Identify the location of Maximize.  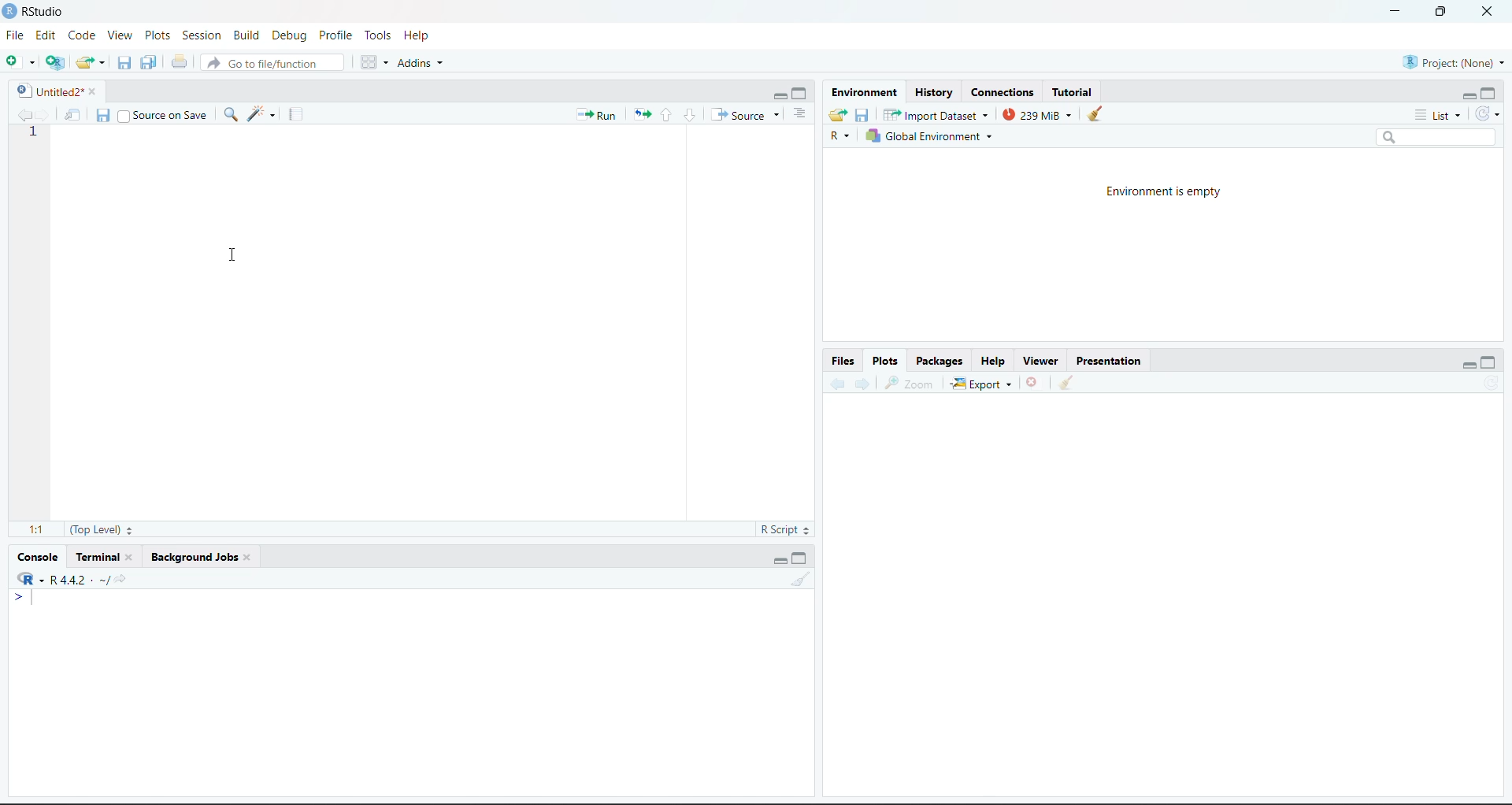
(802, 557).